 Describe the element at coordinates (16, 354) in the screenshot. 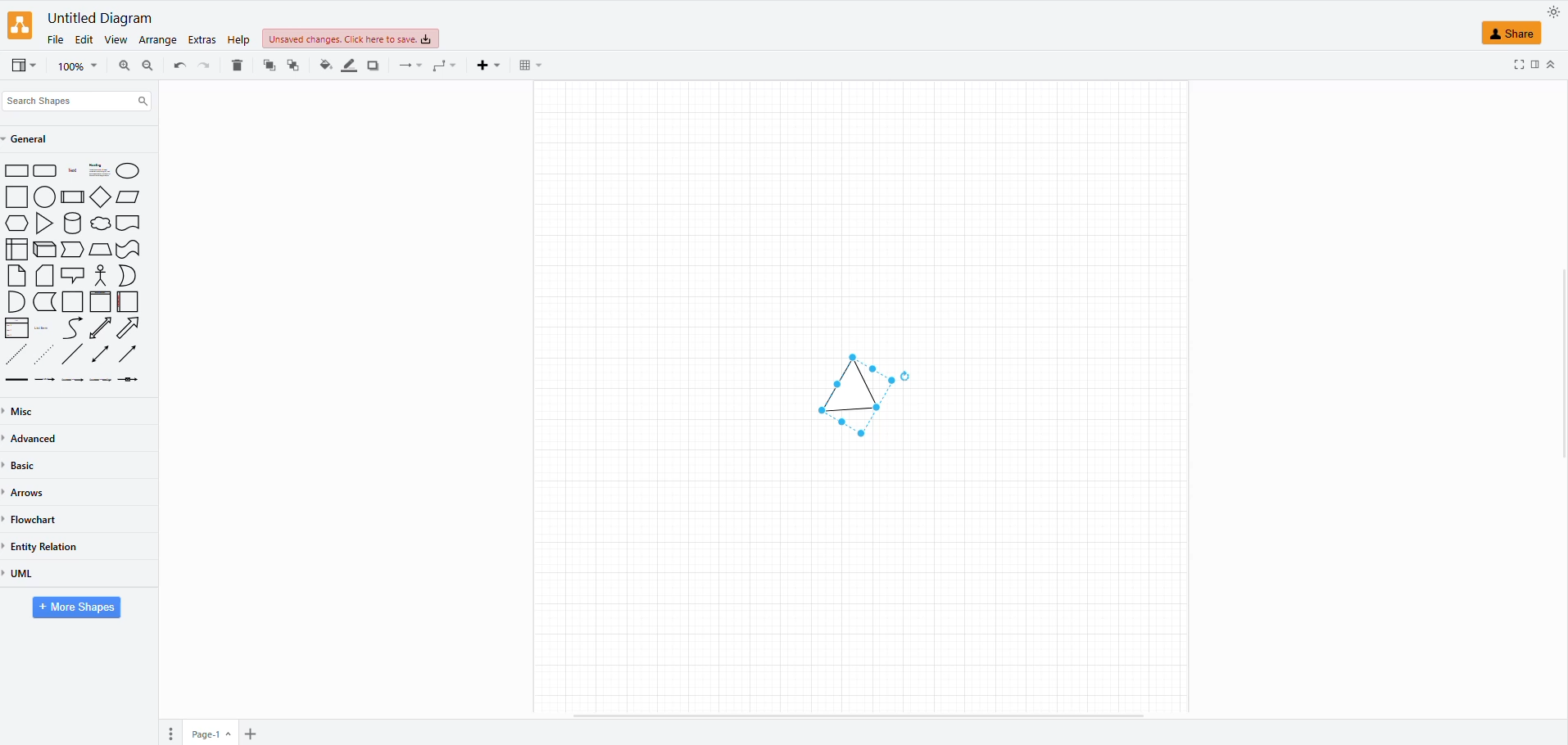

I see `Close Dotted Arrow` at that location.